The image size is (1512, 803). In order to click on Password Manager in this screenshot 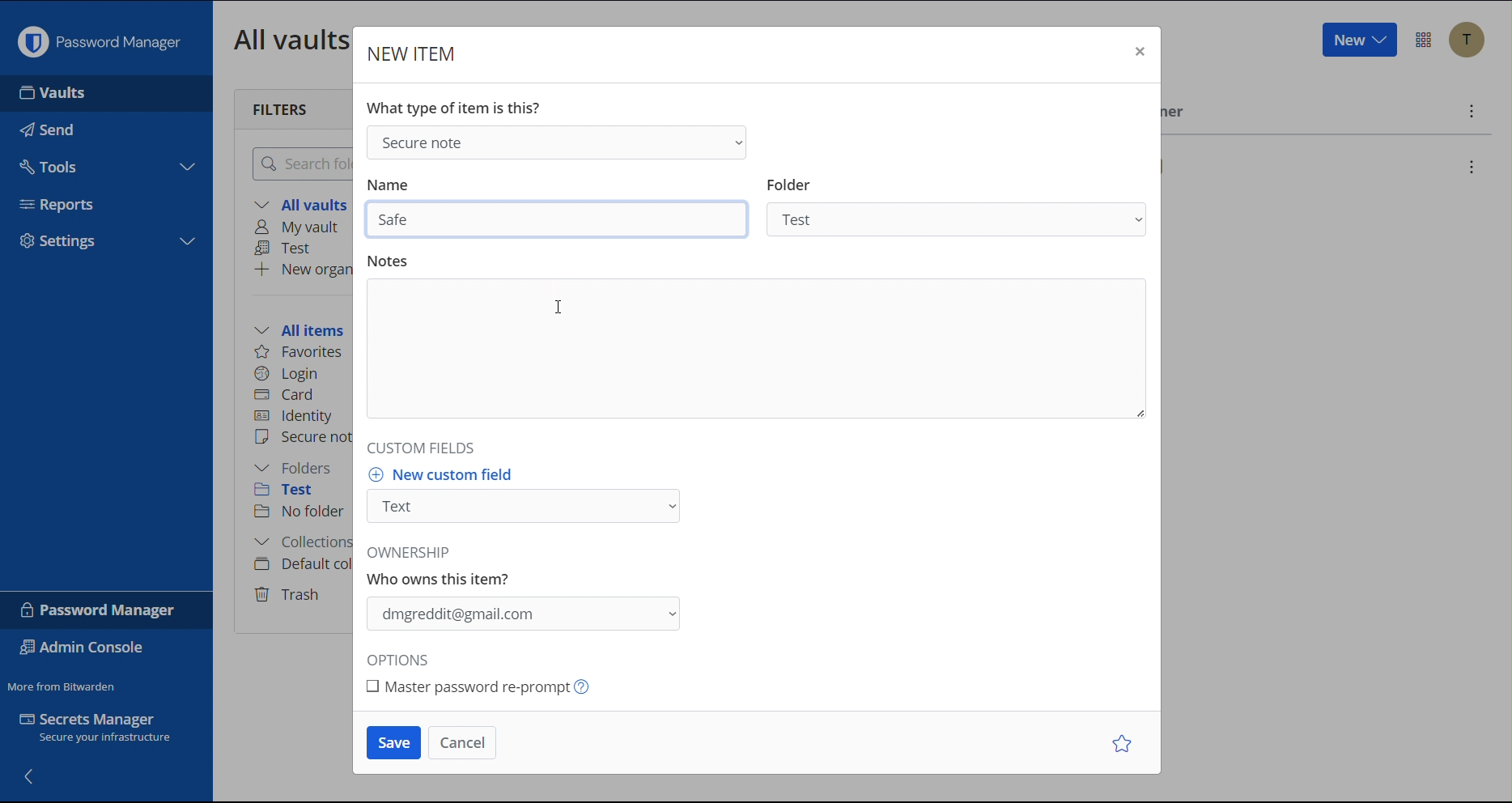, I will do `click(100, 610)`.